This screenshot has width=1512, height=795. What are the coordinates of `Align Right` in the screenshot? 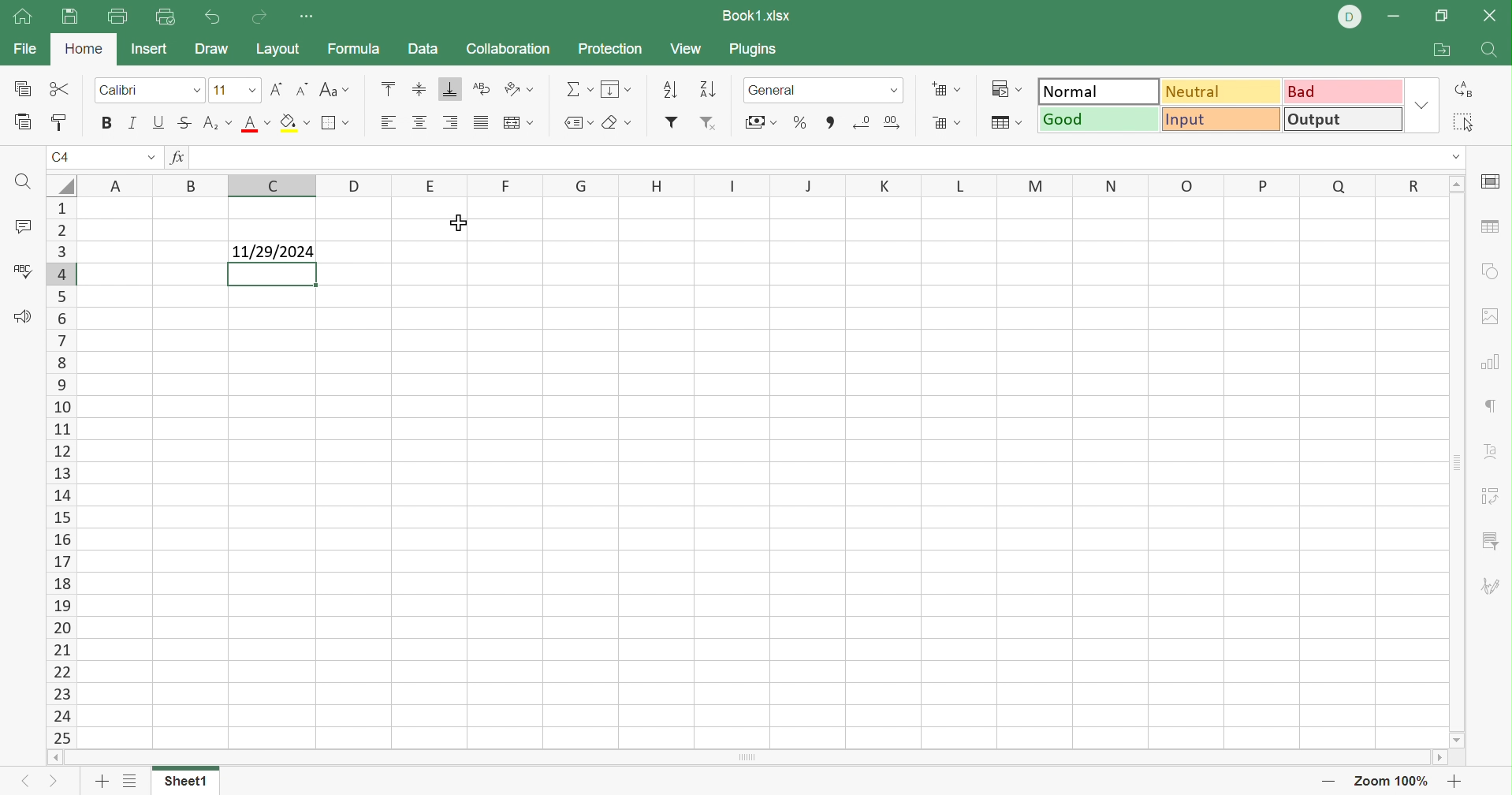 It's located at (450, 122).